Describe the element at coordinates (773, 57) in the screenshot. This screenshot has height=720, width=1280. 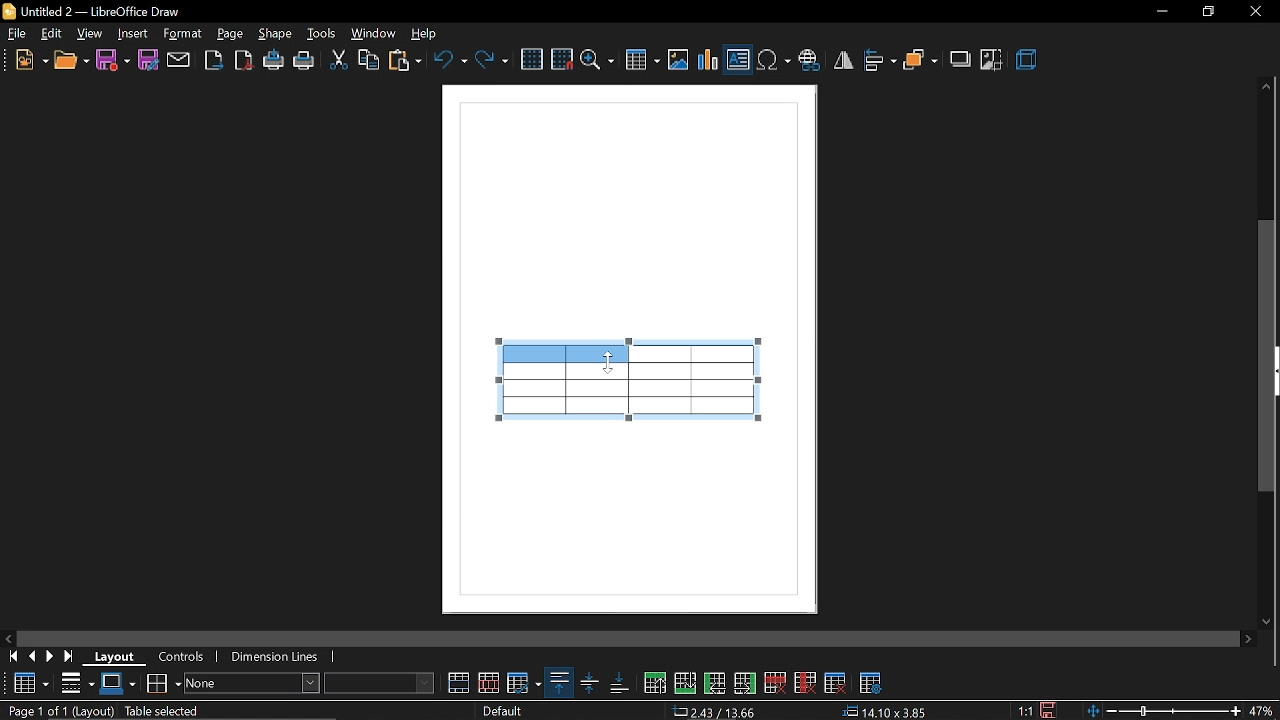
I see `insert symbol` at that location.